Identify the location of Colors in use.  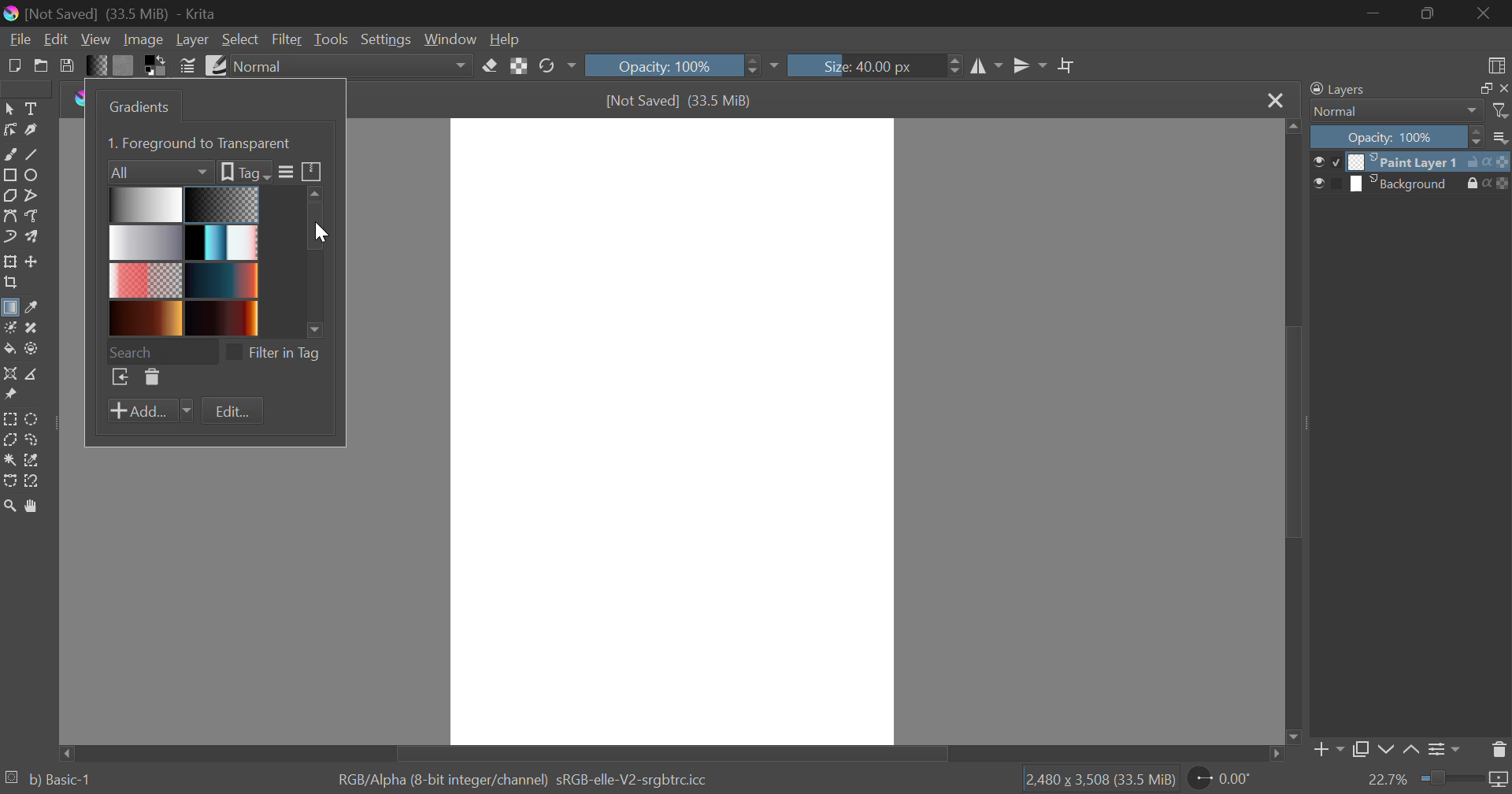
(156, 65).